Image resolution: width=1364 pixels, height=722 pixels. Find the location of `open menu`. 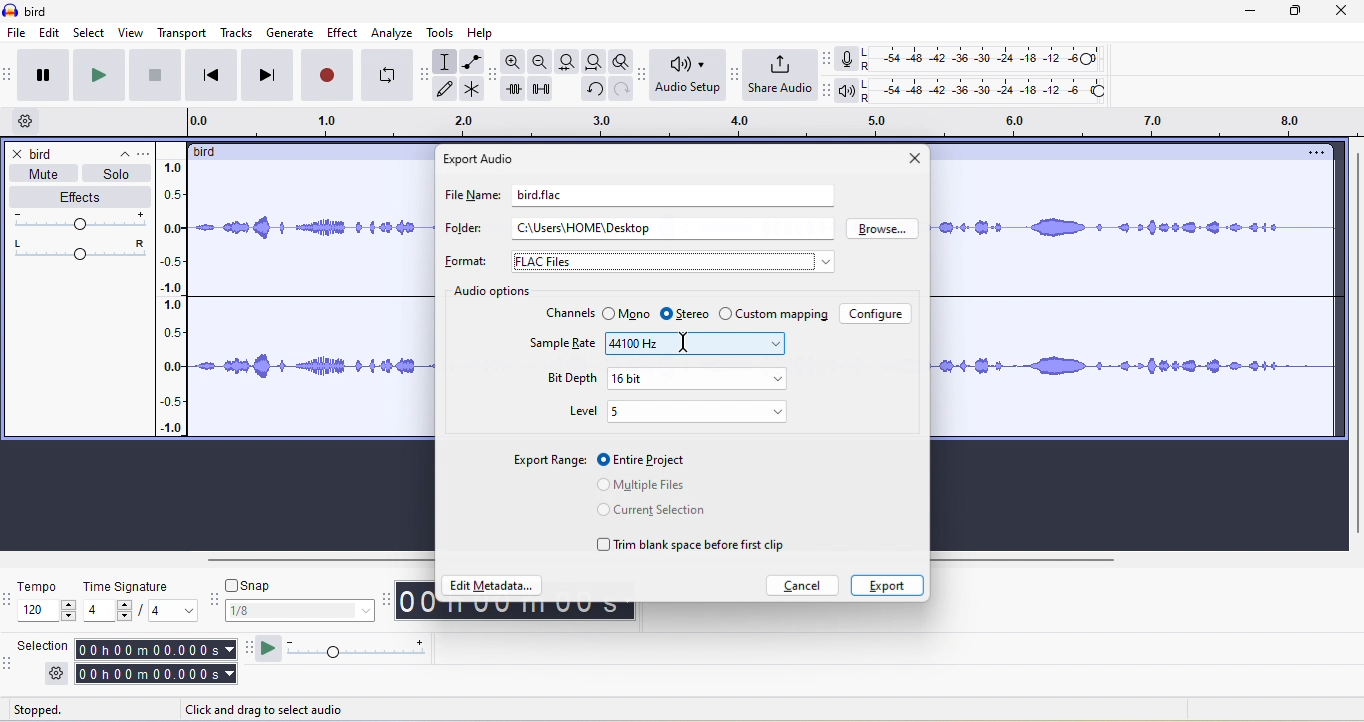

open menu is located at coordinates (148, 152).